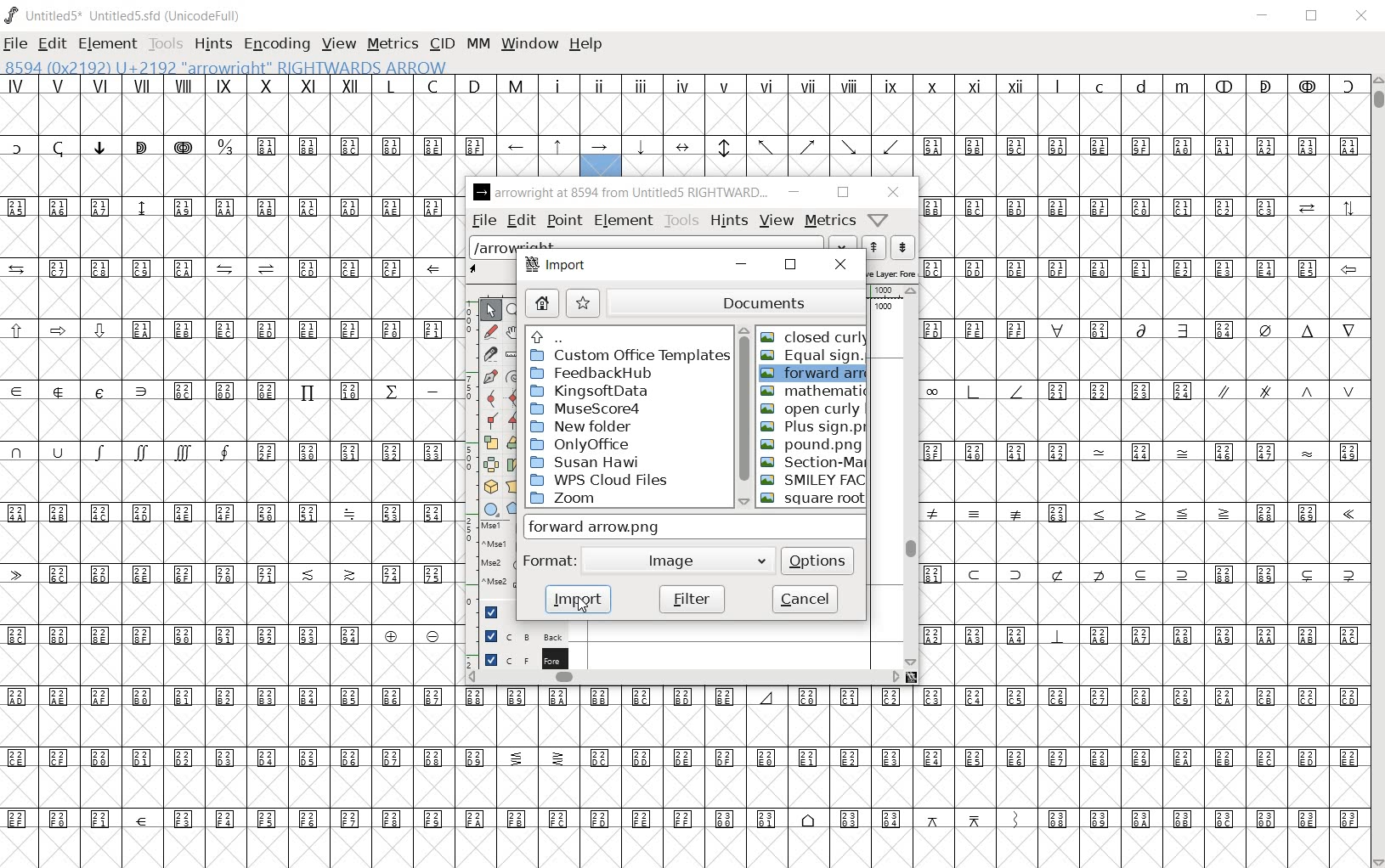 The width and height of the screenshot is (1385, 868). What do you see at coordinates (542, 304) in the screenshot?
I see `Home` at bounding box center [542, 304].